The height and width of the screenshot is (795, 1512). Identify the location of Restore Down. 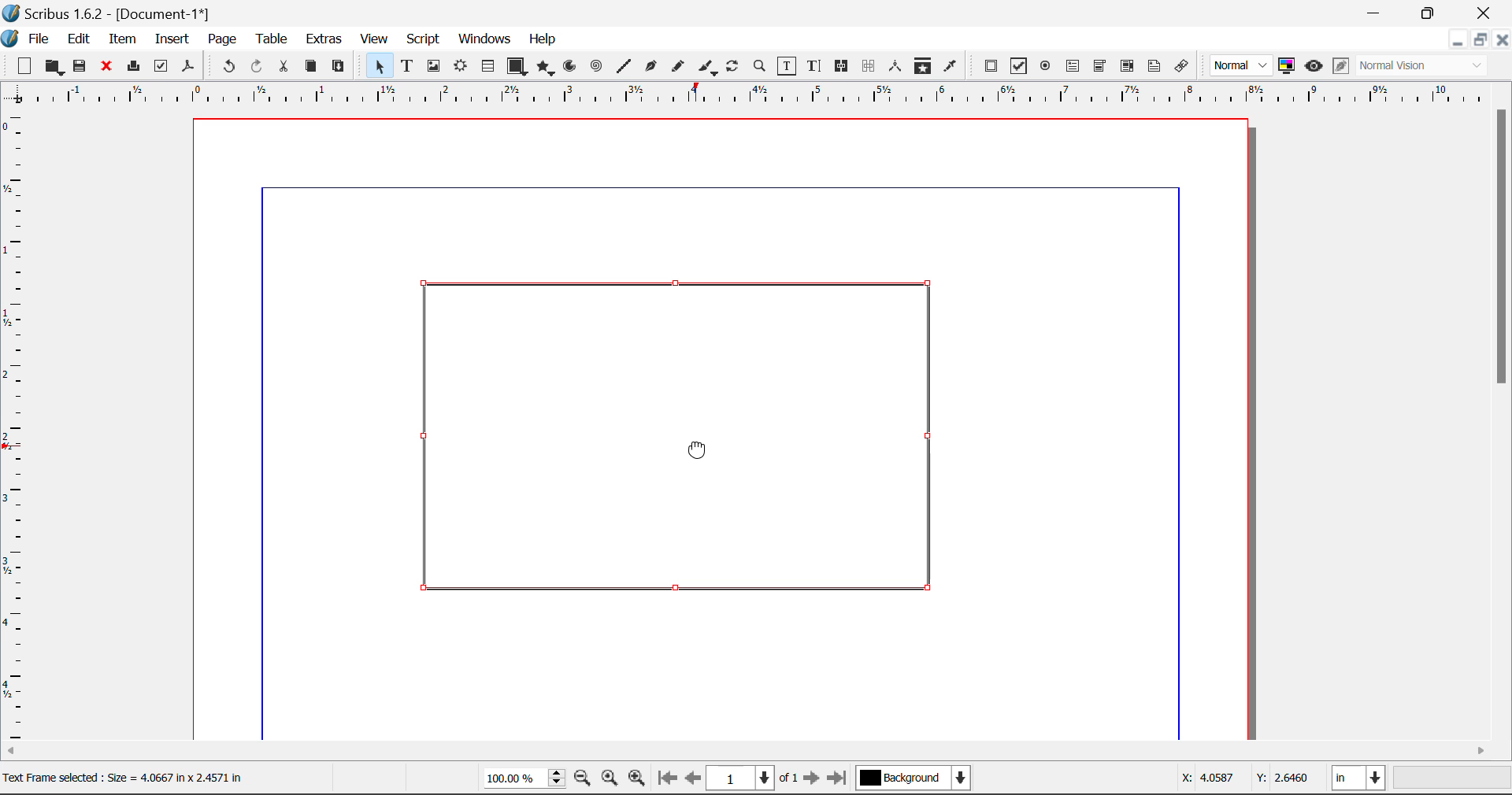
(1457, 39).